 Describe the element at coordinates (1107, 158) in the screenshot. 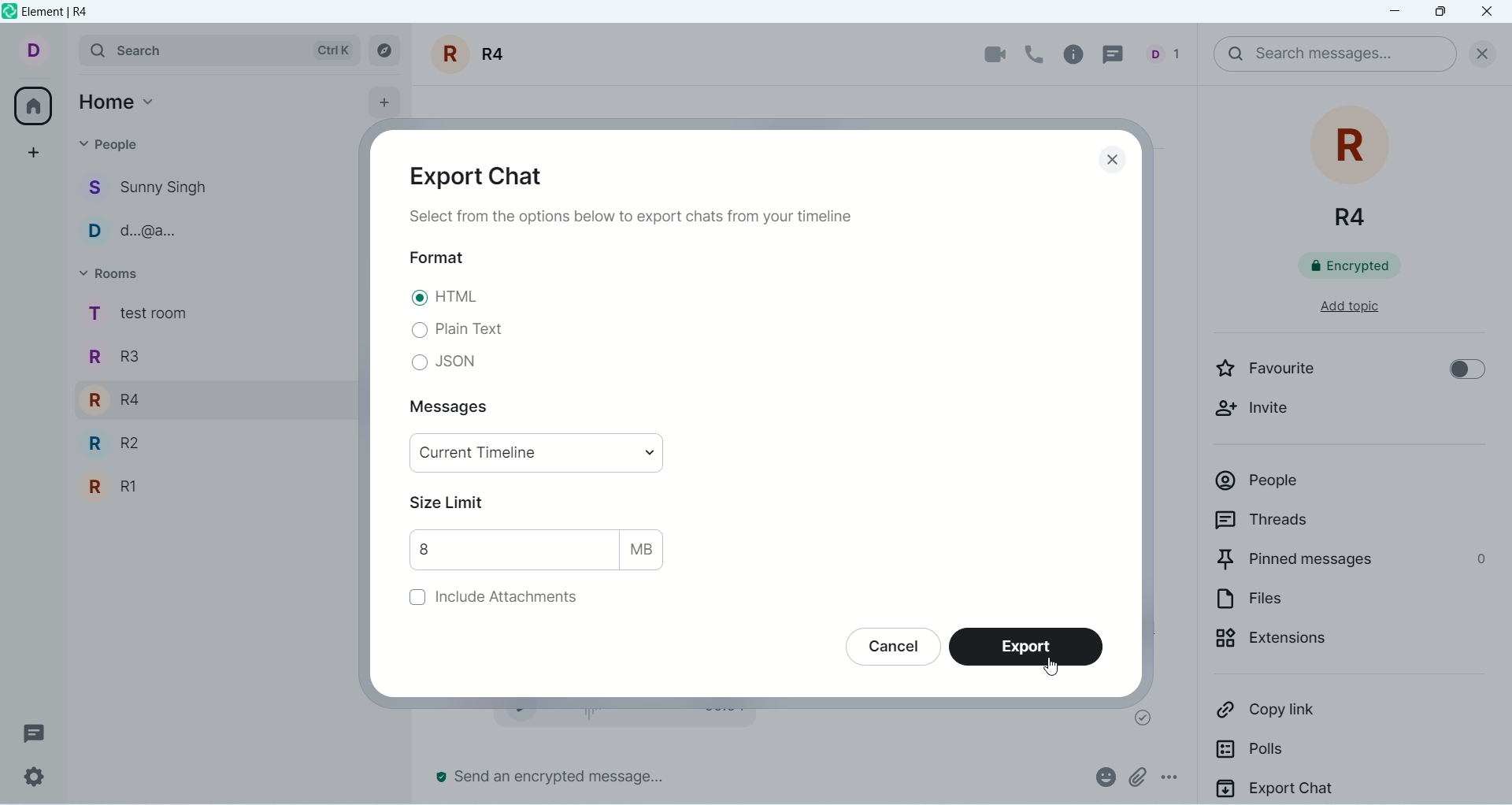

I see `close` at that location.